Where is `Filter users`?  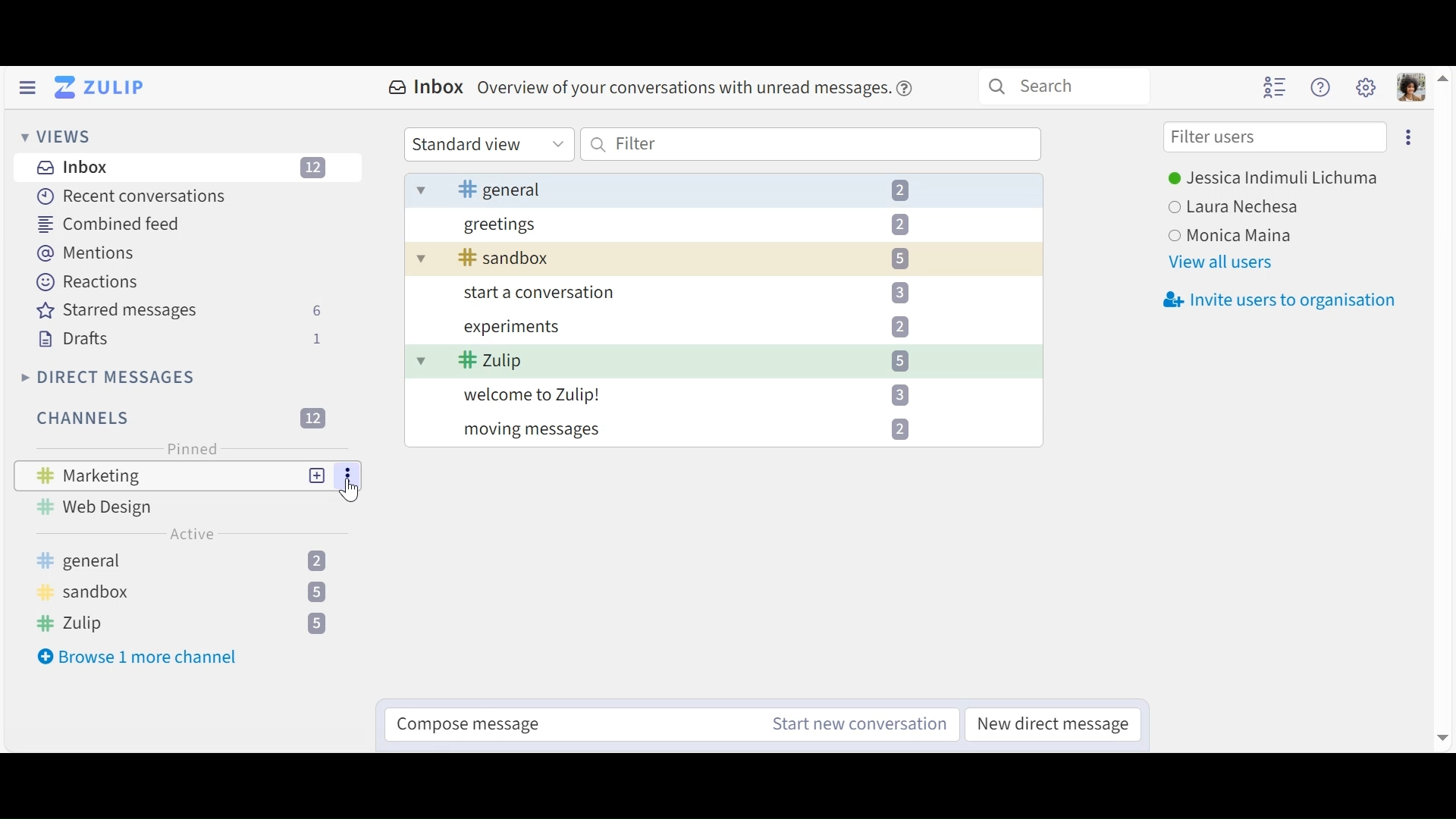 Filter users is located at coordinates (1275, 138).